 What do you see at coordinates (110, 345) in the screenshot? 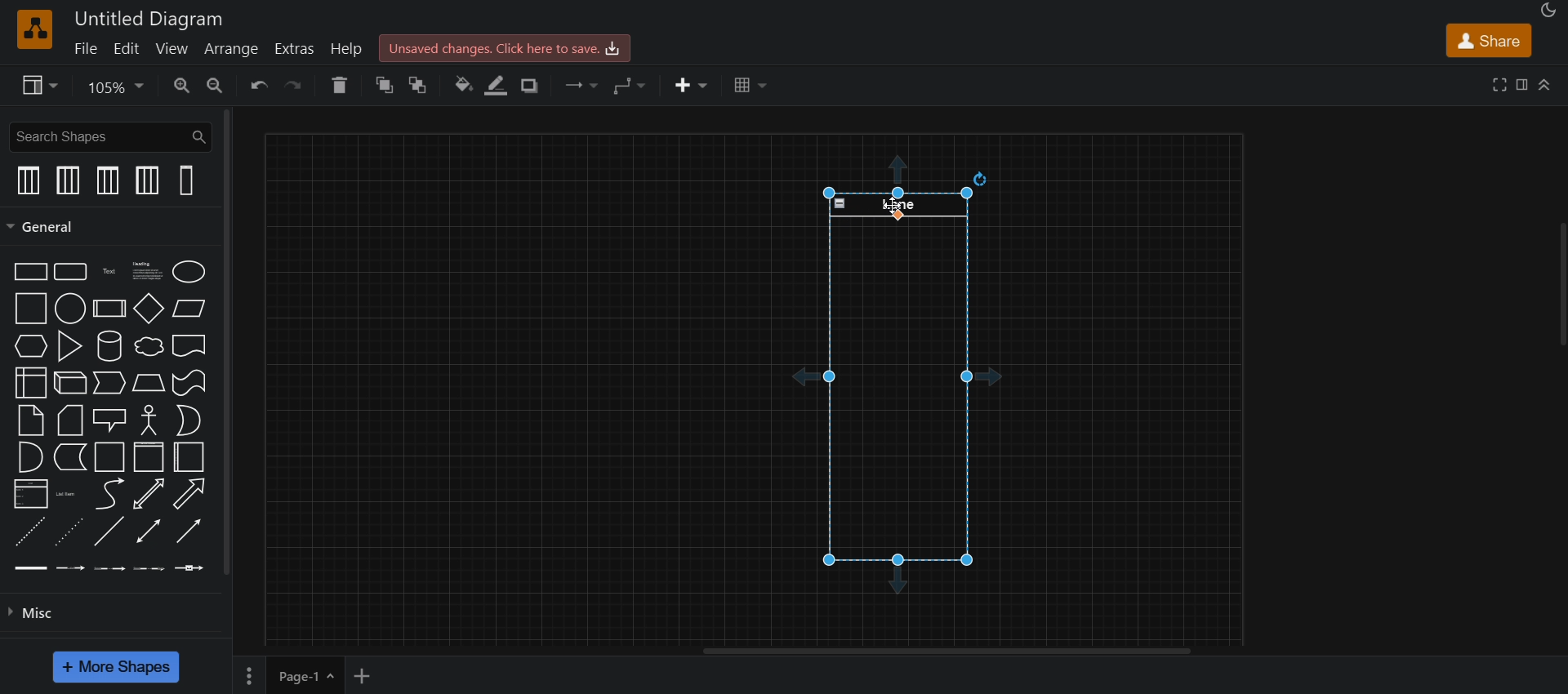
I see `cylinder` at bounding box center [110, 345].